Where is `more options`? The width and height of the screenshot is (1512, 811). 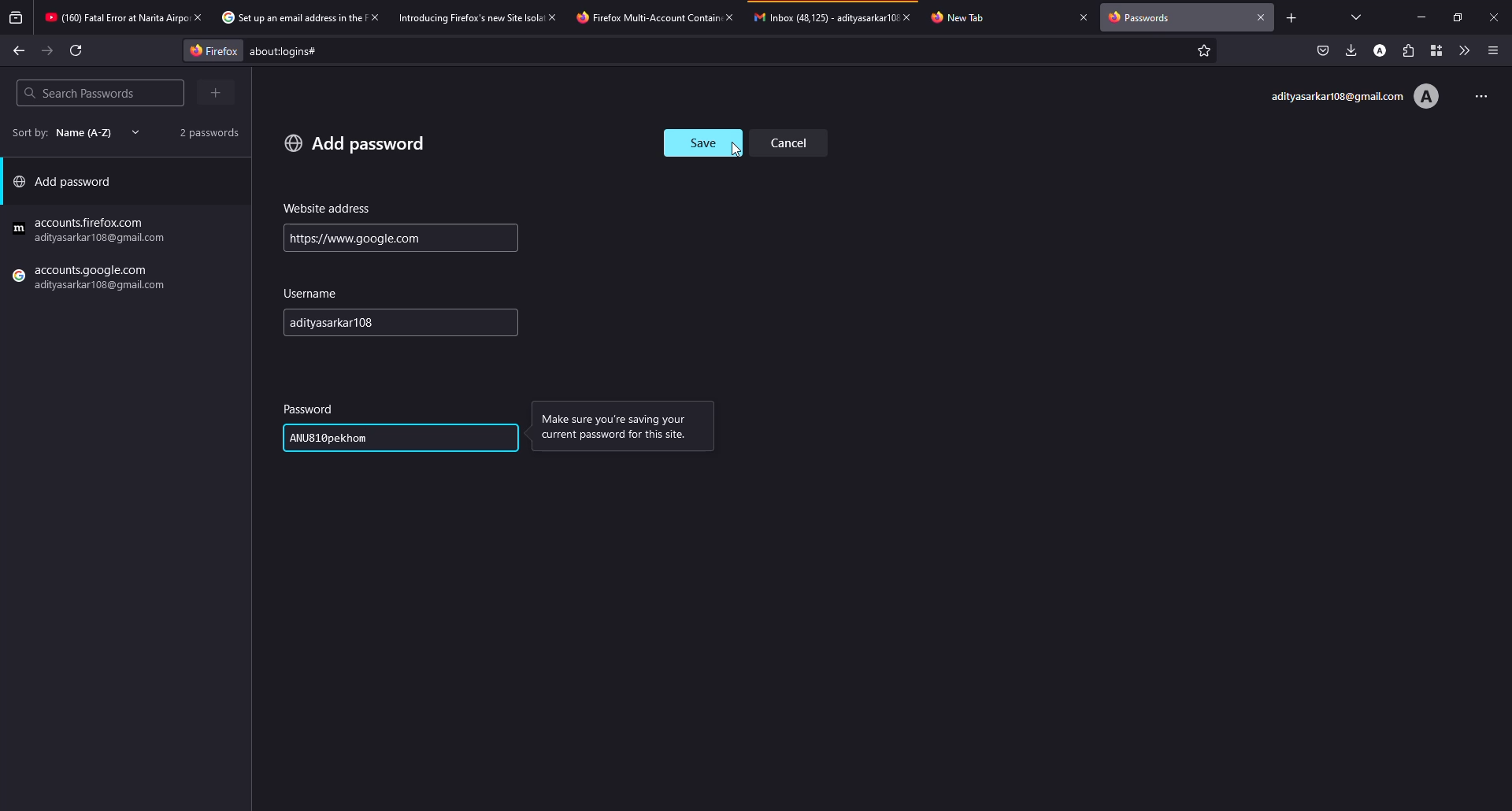
more options is located at coordinates (1476, 94).